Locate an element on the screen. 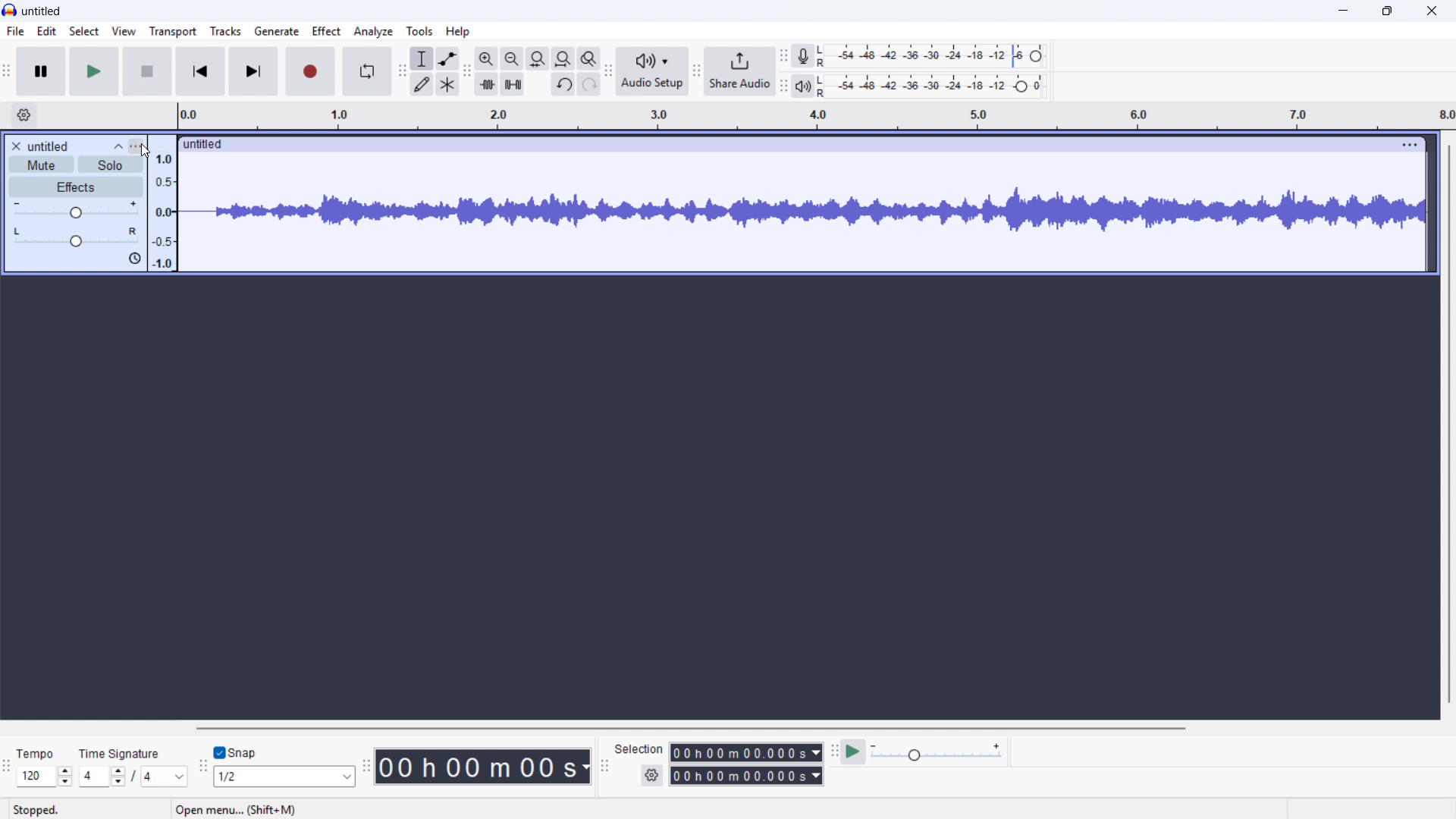 This screenshot has height=819, width=1456. Recording metre toolbar  is located at coordinates (784, 56).